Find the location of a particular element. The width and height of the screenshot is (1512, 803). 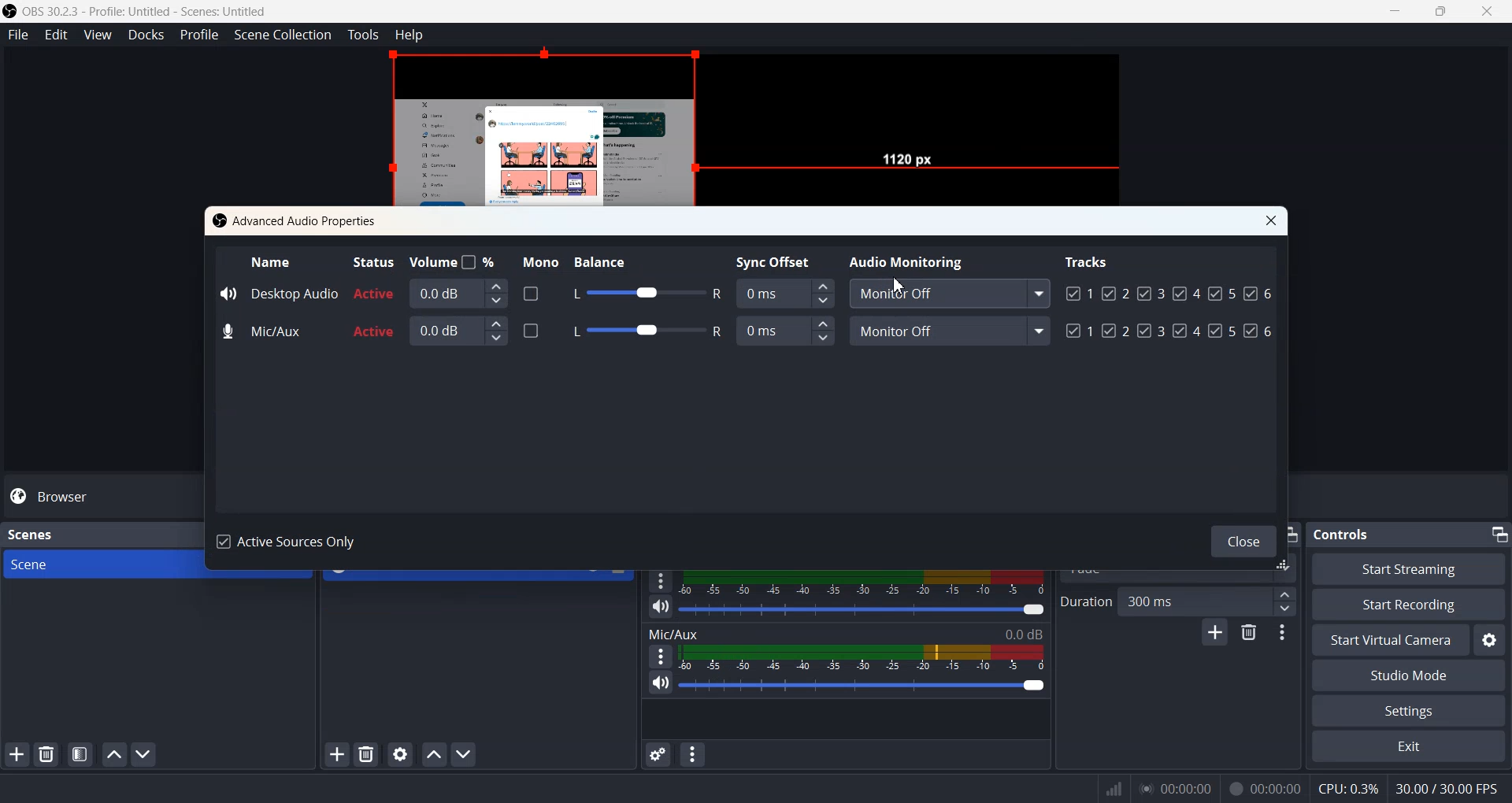

Status is located at coordinates (372, 261).